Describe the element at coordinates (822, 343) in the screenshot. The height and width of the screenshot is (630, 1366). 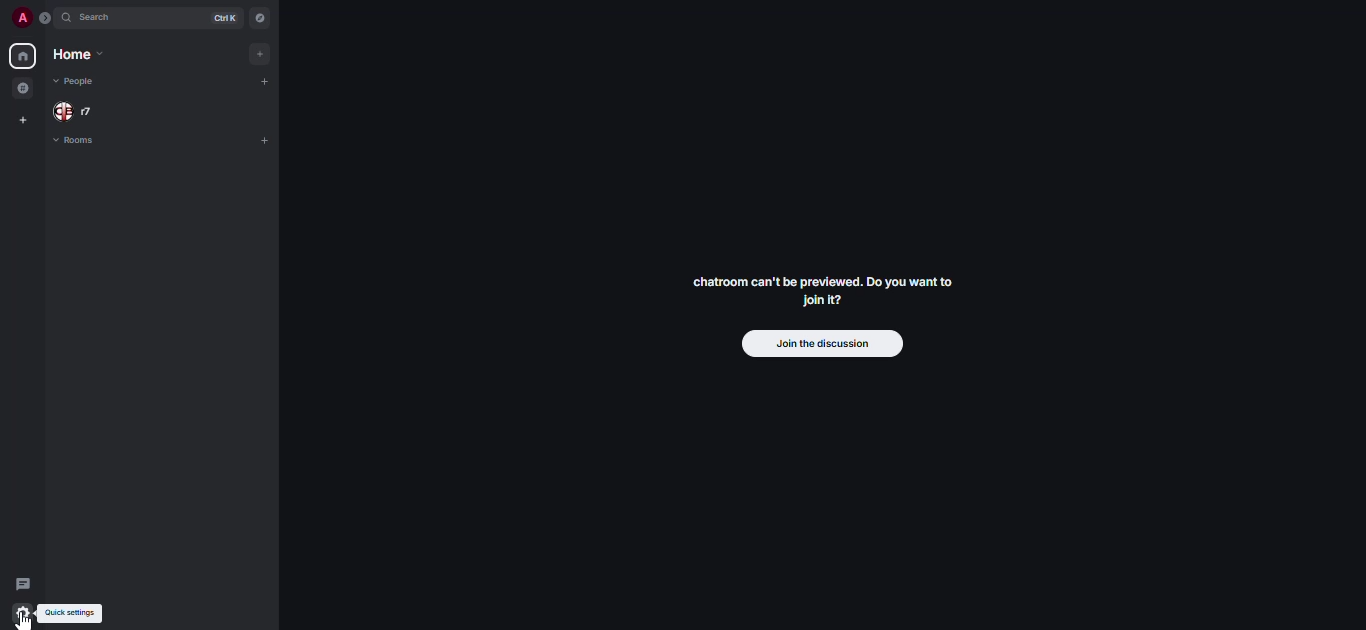
I see `join the discussion` at that location.